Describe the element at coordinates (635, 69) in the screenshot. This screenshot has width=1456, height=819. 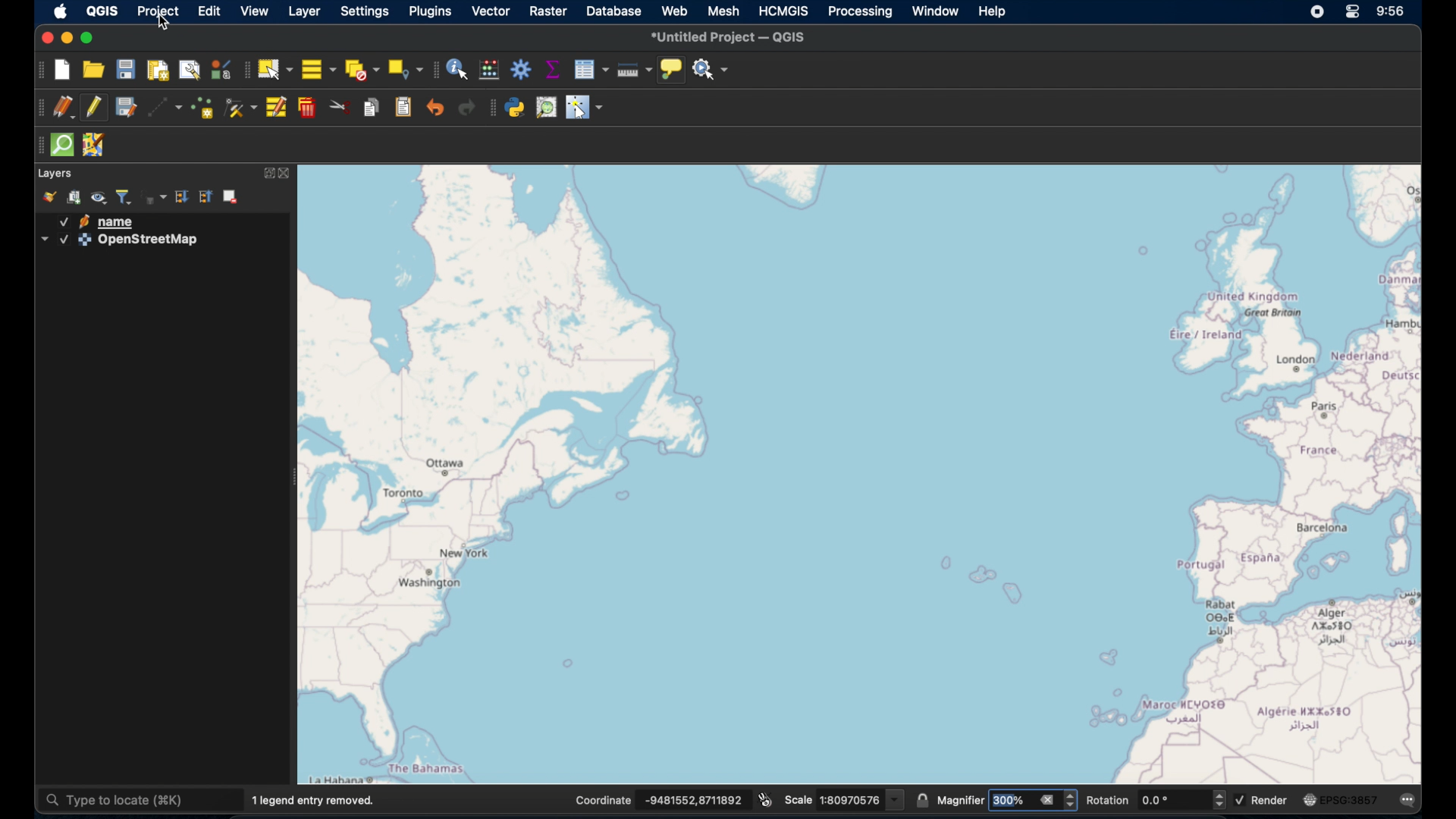
I see `measure line` at that location.